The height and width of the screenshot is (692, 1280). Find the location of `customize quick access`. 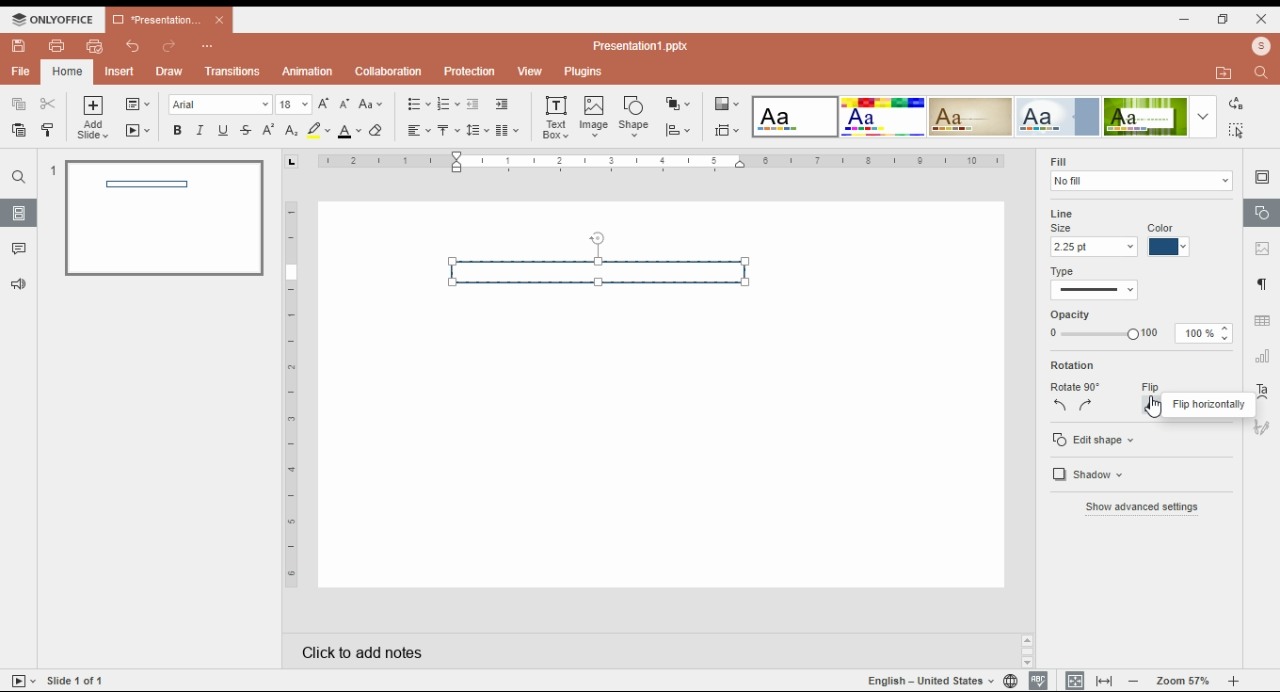

customize quick access is located at coordinates (209, 47).